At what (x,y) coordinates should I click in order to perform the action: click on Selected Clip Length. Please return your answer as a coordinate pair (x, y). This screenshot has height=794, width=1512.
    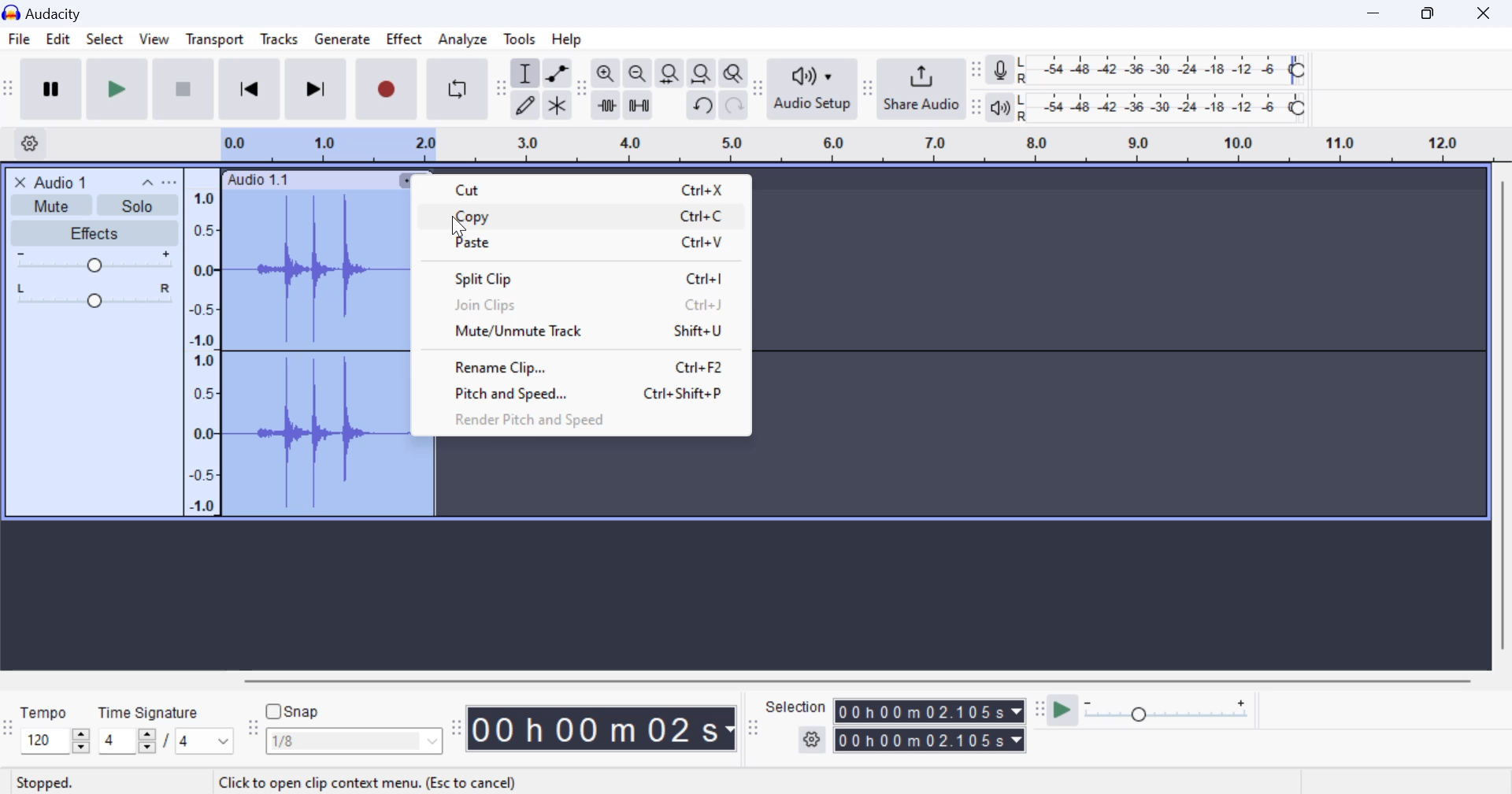
    Looking at the image, I should click on (932, 728).